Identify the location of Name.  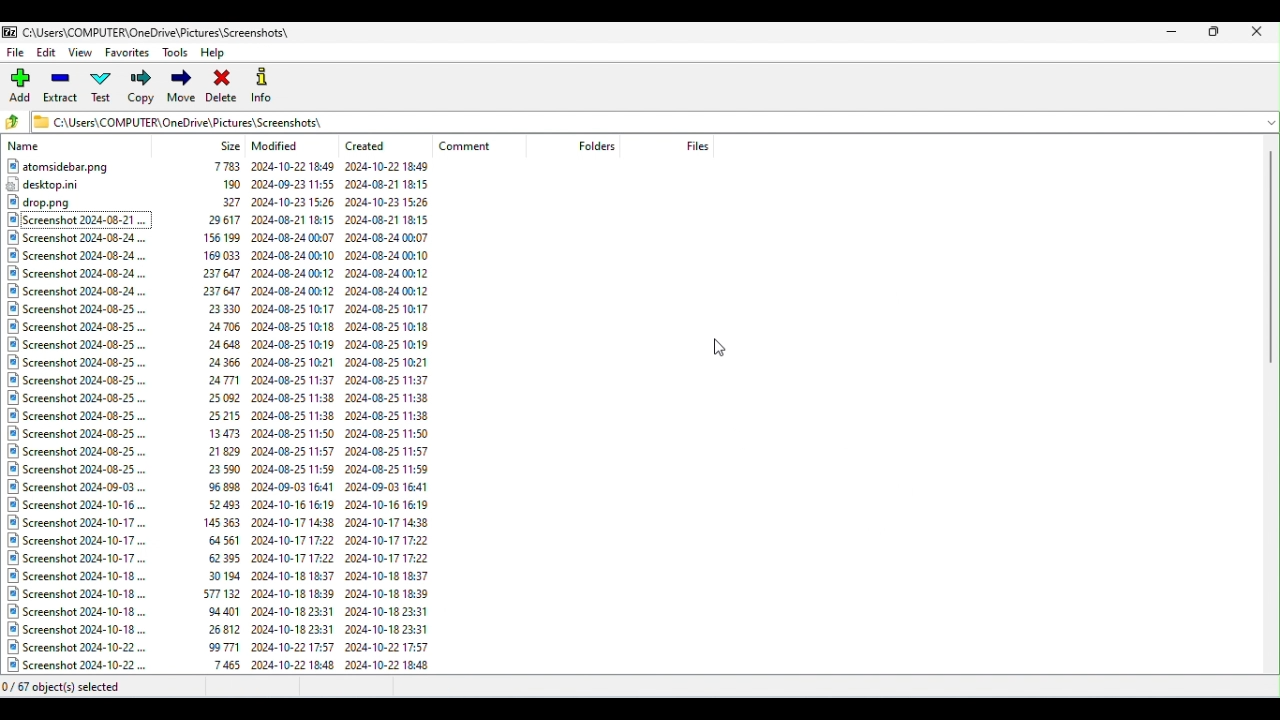
(27, 147).